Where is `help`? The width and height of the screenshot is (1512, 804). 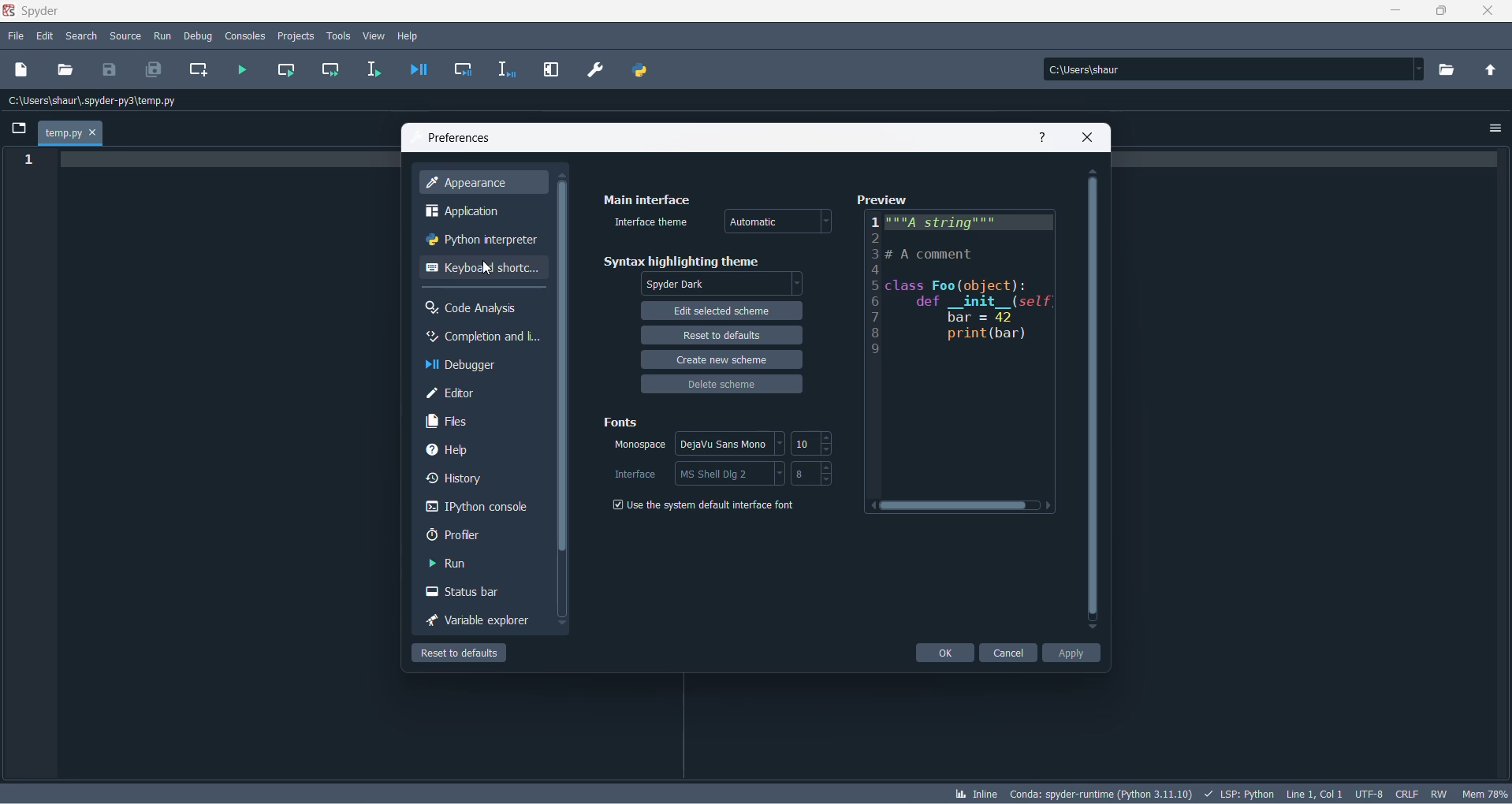 help is located at coordinates (473, 449).